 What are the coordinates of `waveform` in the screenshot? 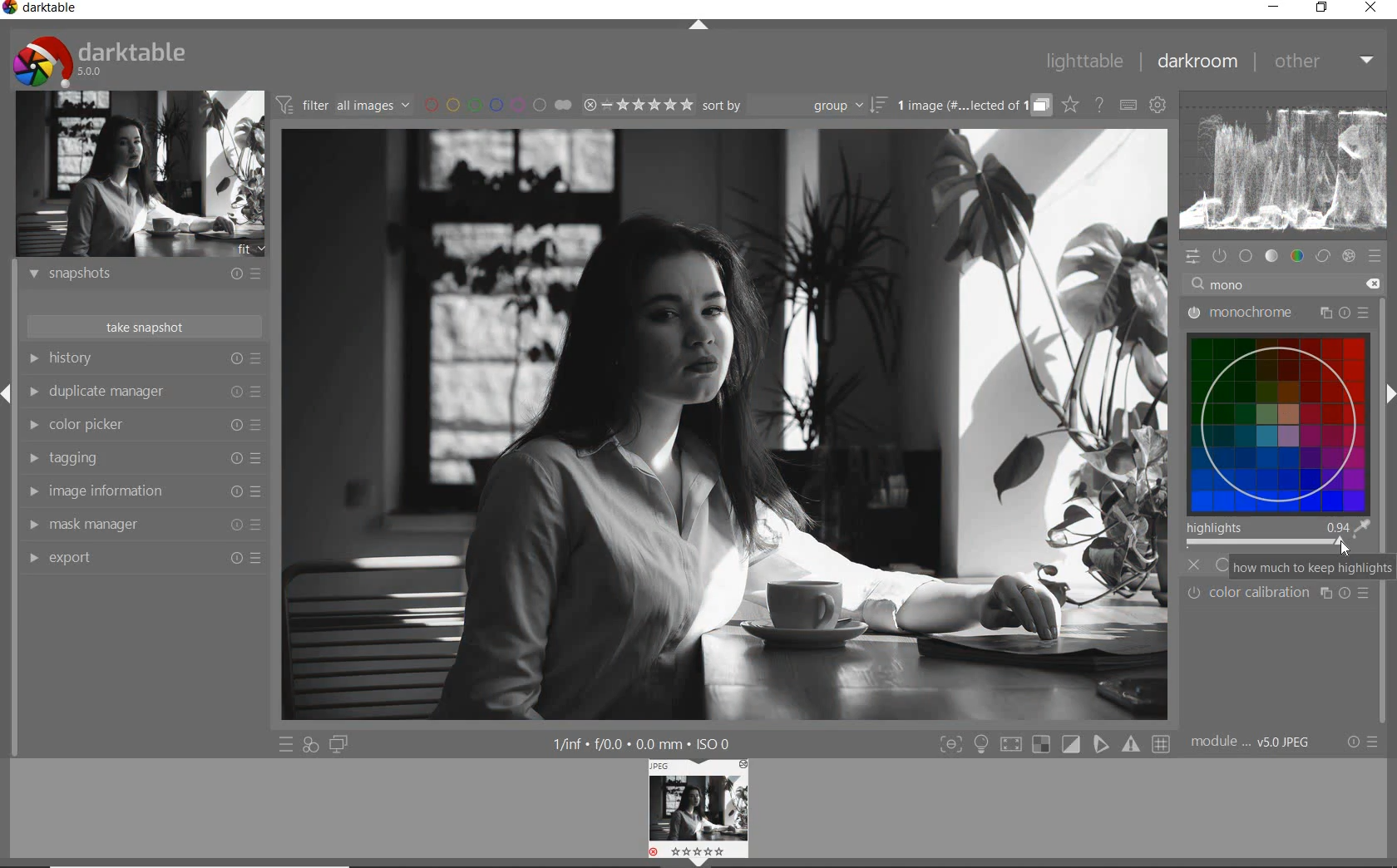 It's located at (1283, 166).